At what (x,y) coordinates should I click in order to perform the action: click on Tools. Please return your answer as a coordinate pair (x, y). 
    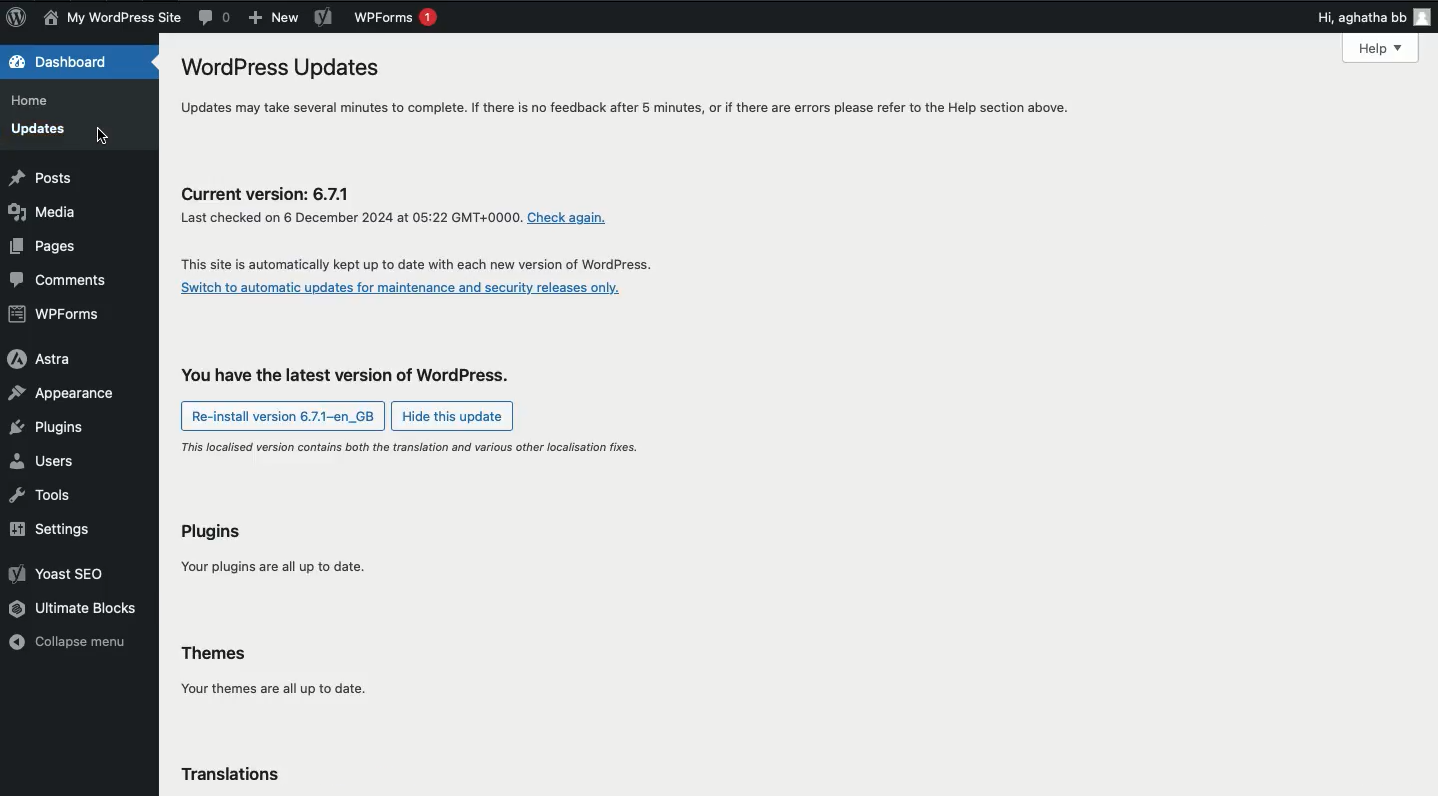
    Looking at the image, I should click on (44, 495).